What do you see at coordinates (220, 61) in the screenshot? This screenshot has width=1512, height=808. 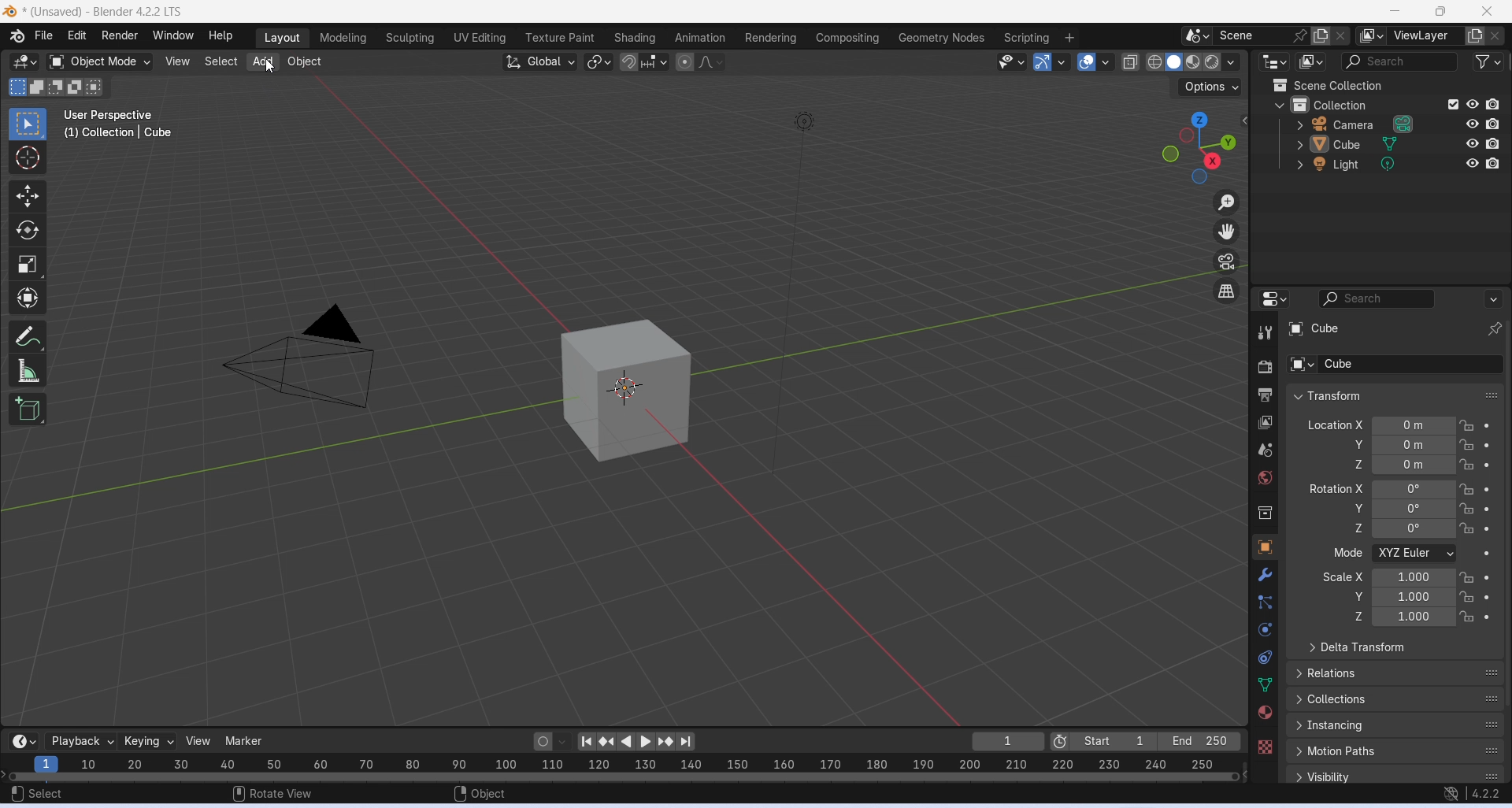 I see `select` at bounding box center [220, 61].